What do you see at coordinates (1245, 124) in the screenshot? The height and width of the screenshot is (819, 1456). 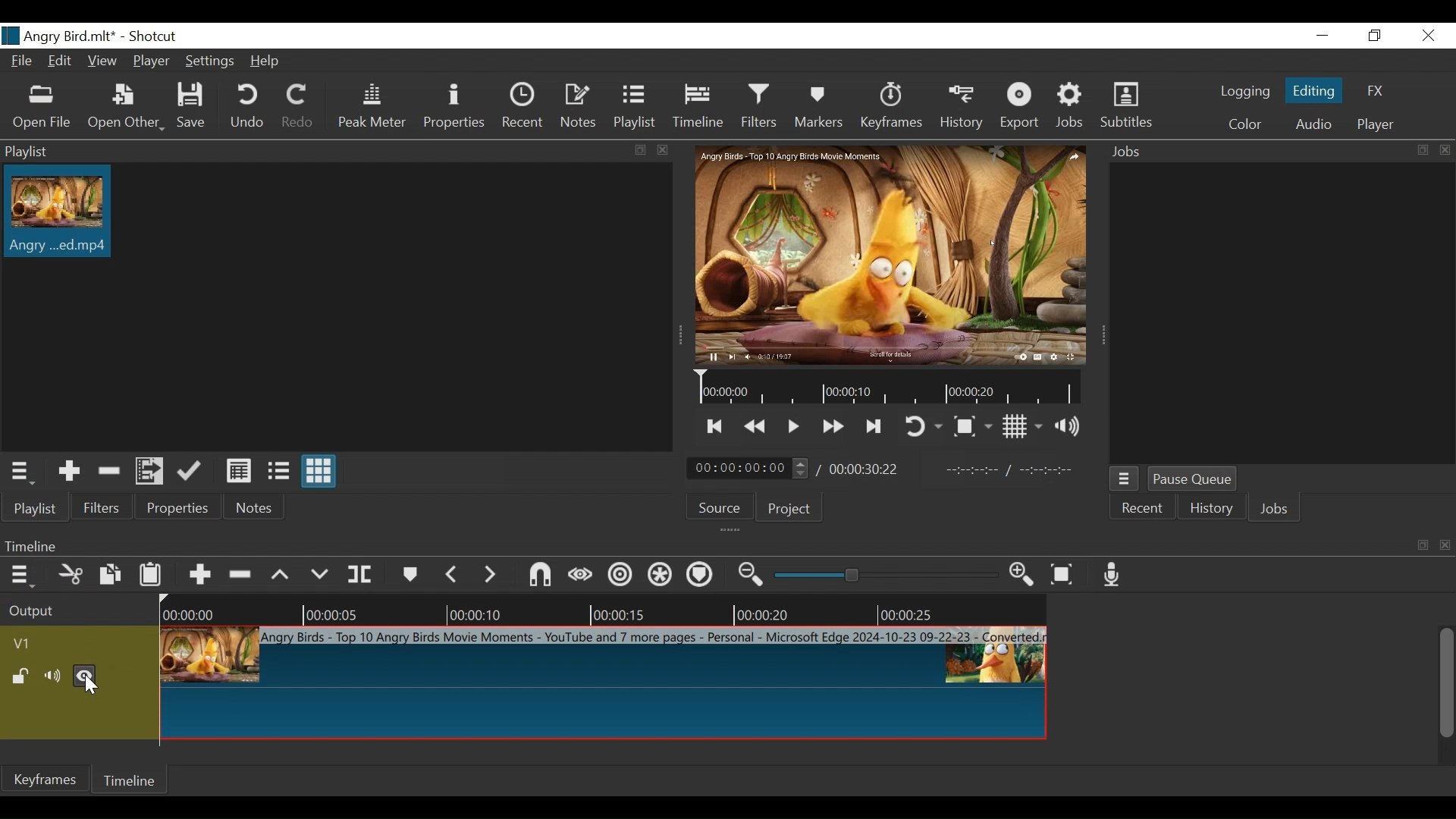 I see `Color` at bounding box center [1245, 124].